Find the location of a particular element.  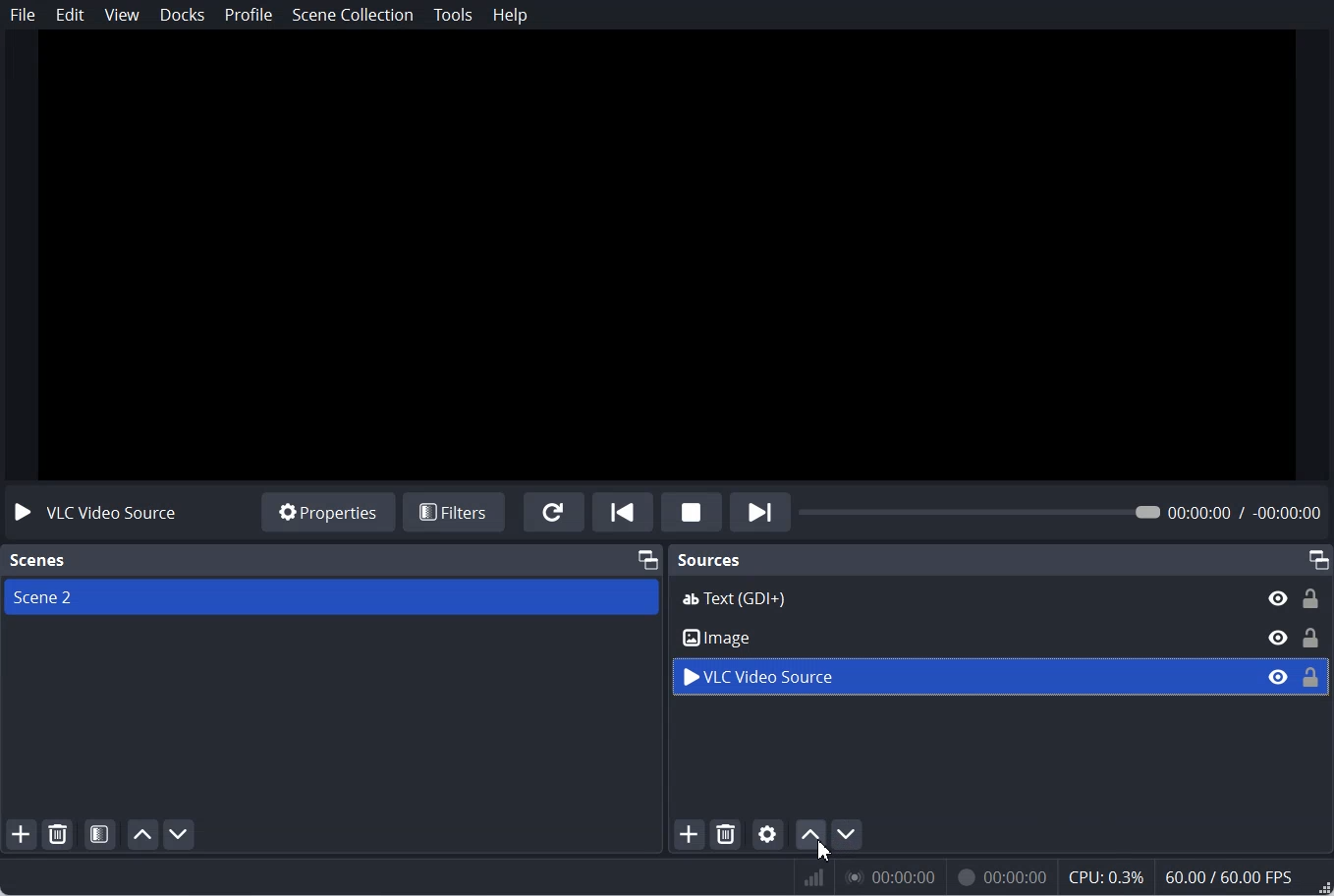

Scene is located at coordinates (330, 596).